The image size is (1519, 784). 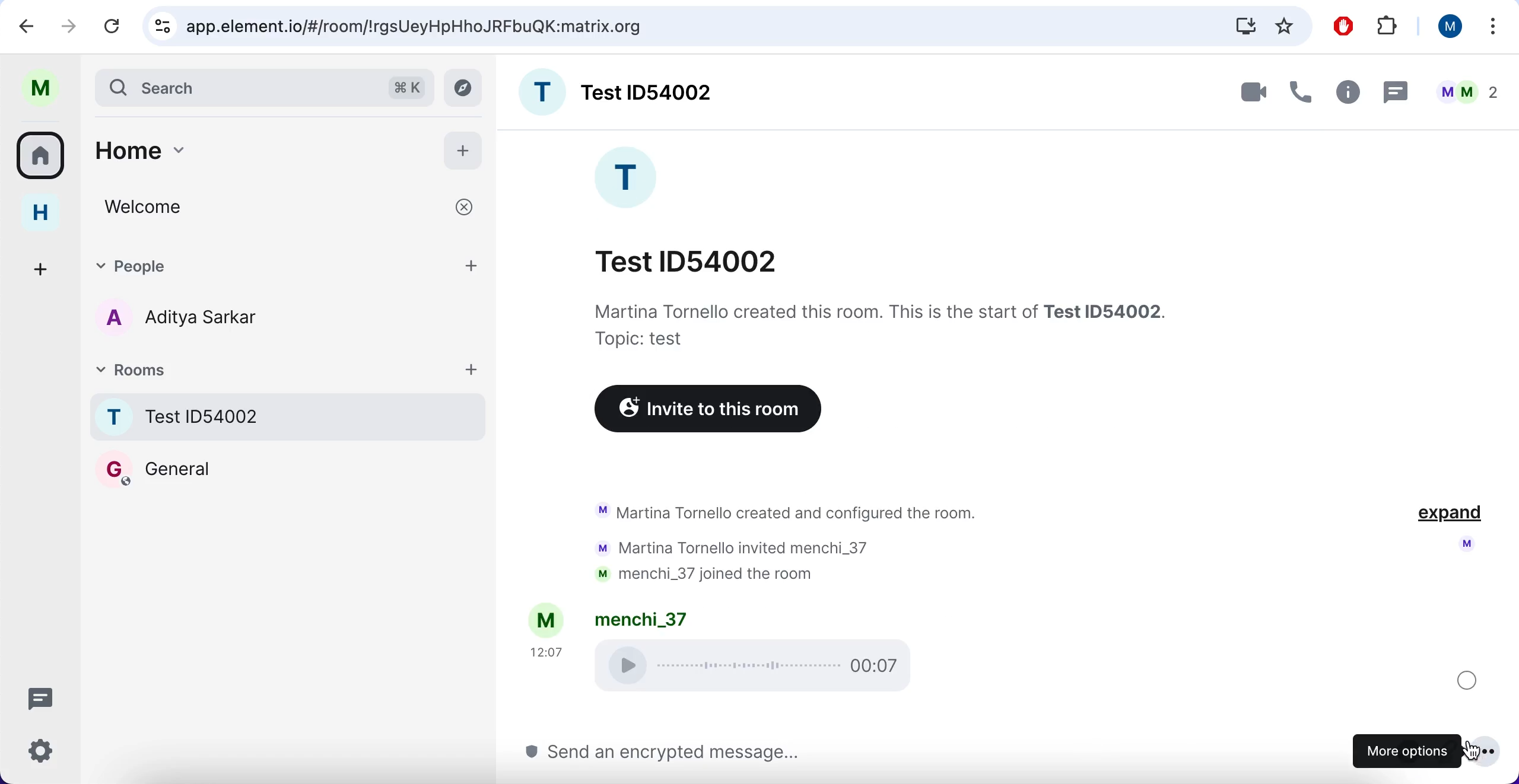 What do you see at coordinates (21, 26) in the screenshot?
I see `backward` at bounding box center [21, 26].